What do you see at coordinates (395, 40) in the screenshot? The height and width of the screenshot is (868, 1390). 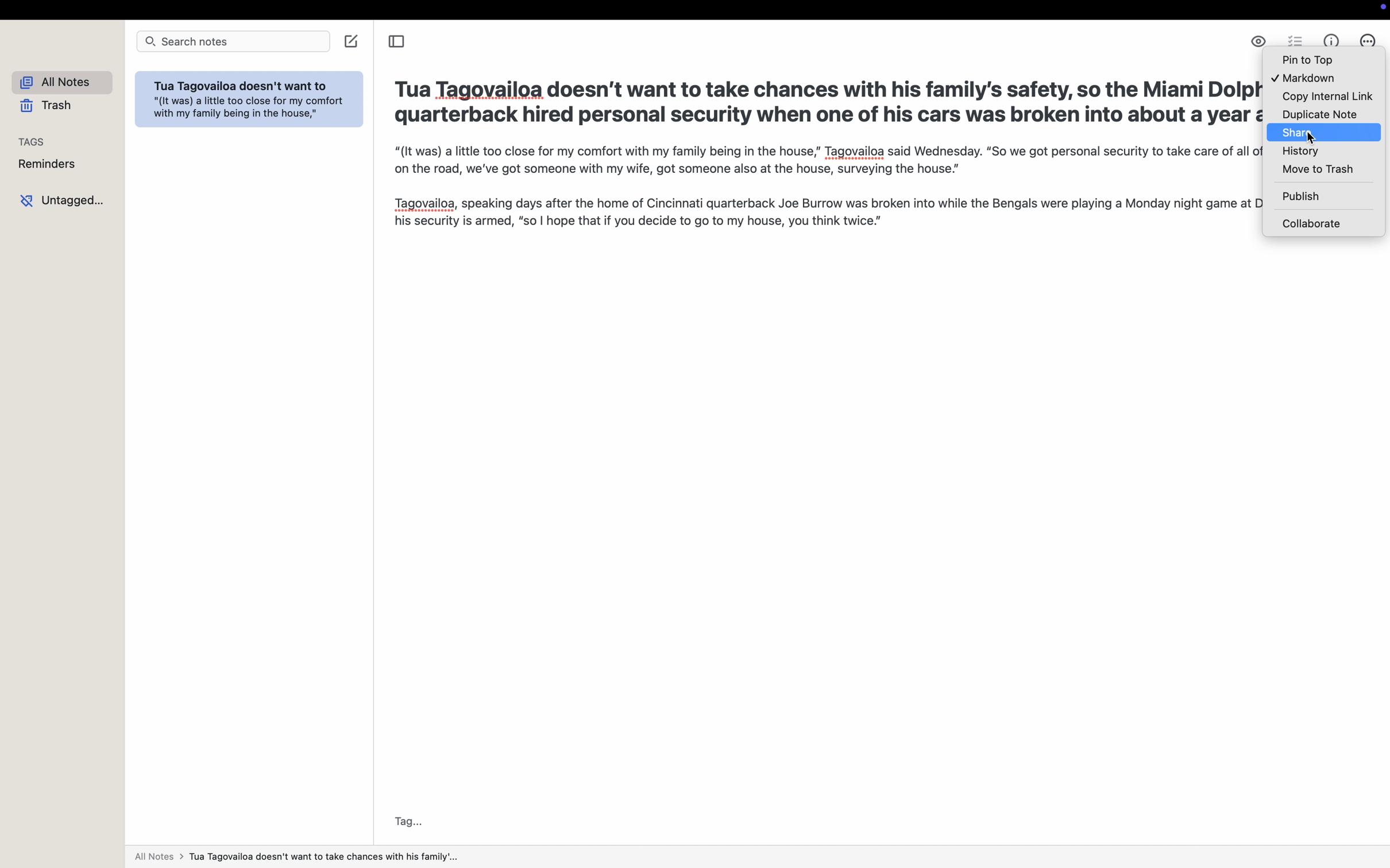 I see `toggle sidebar` at bounding box center [395, 40].